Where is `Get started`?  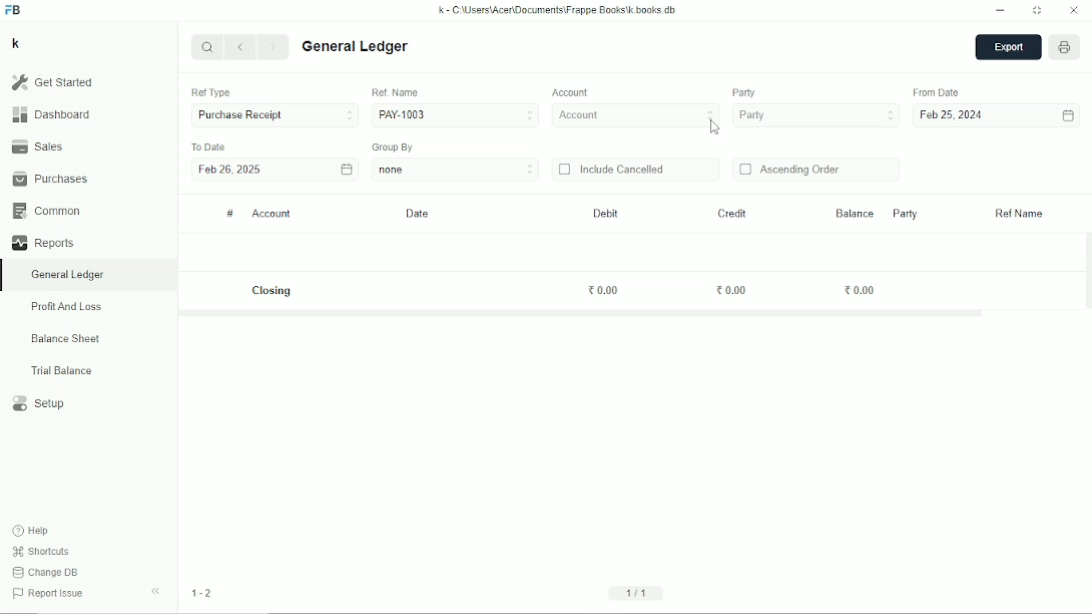
Get started is located at coordinates (52, 82).